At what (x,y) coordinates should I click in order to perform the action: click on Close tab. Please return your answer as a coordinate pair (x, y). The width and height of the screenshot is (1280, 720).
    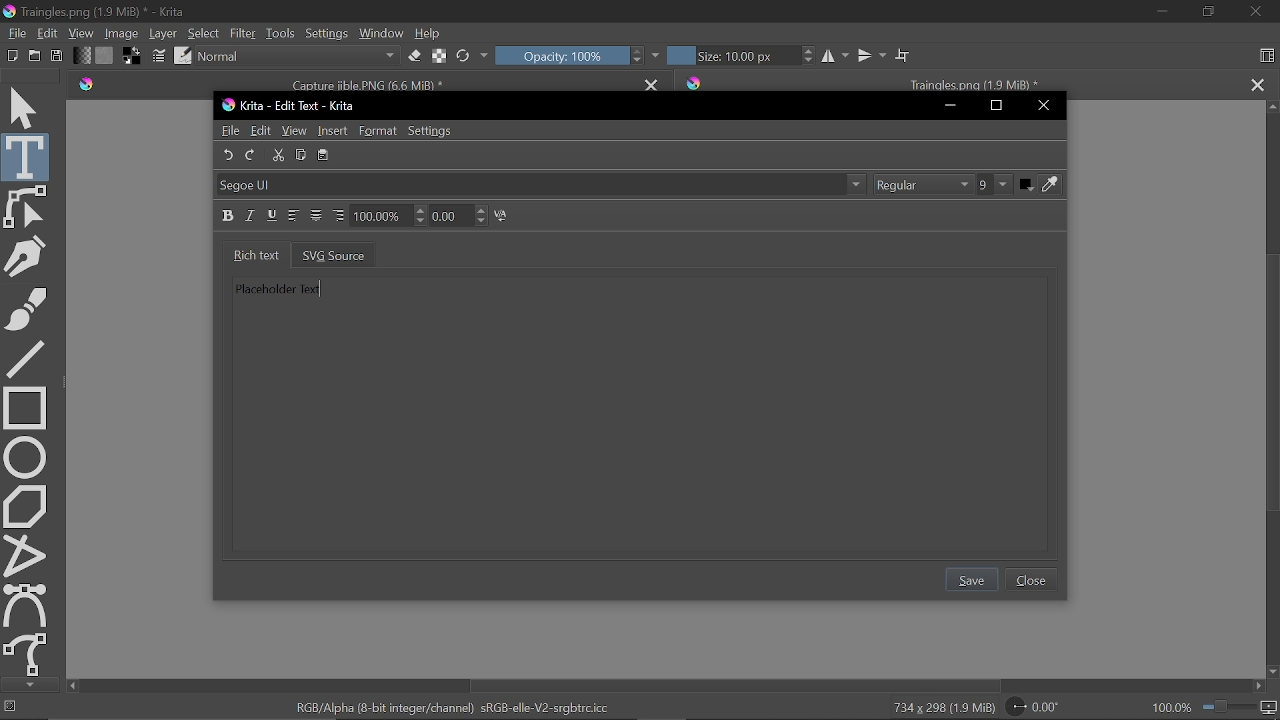
    Looking at the image, I should click on (653, 82).